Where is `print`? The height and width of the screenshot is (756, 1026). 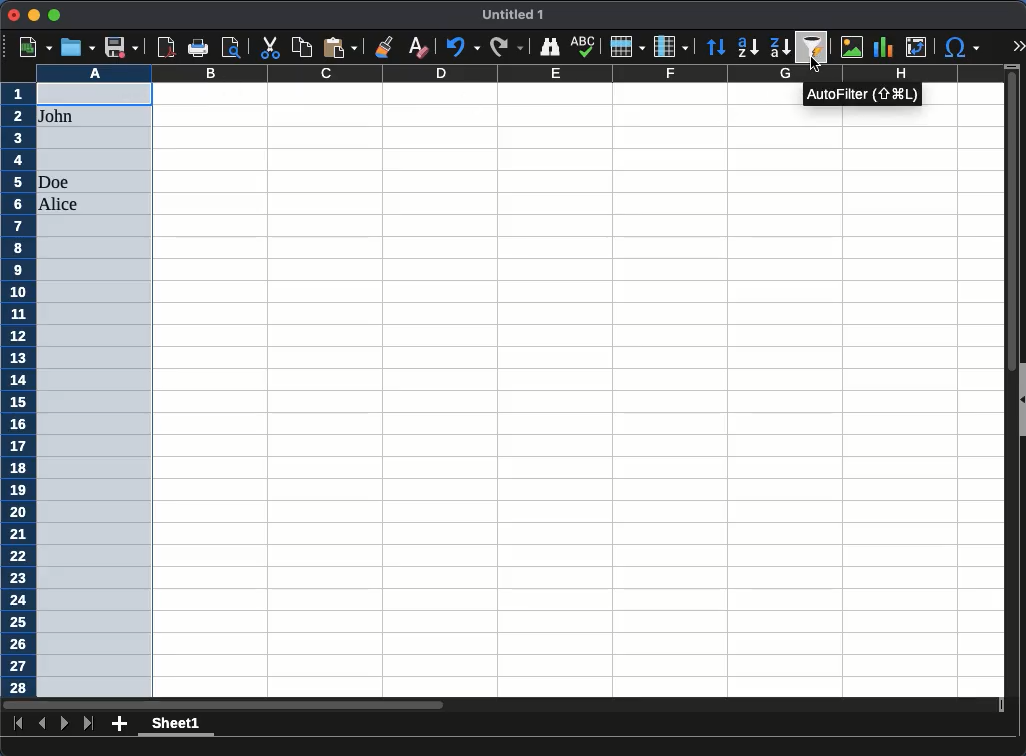
print is located at coordinates (198, 48).